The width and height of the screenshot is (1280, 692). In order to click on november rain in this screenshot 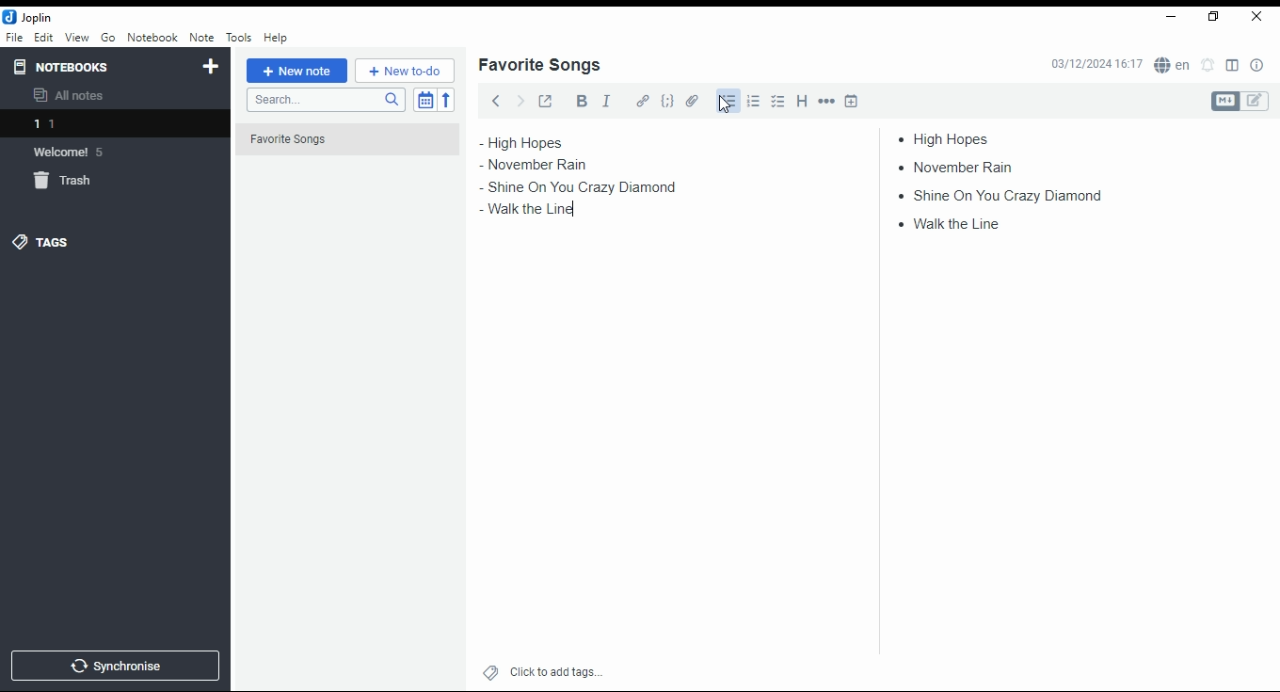, I will do `click(548, 165)`.